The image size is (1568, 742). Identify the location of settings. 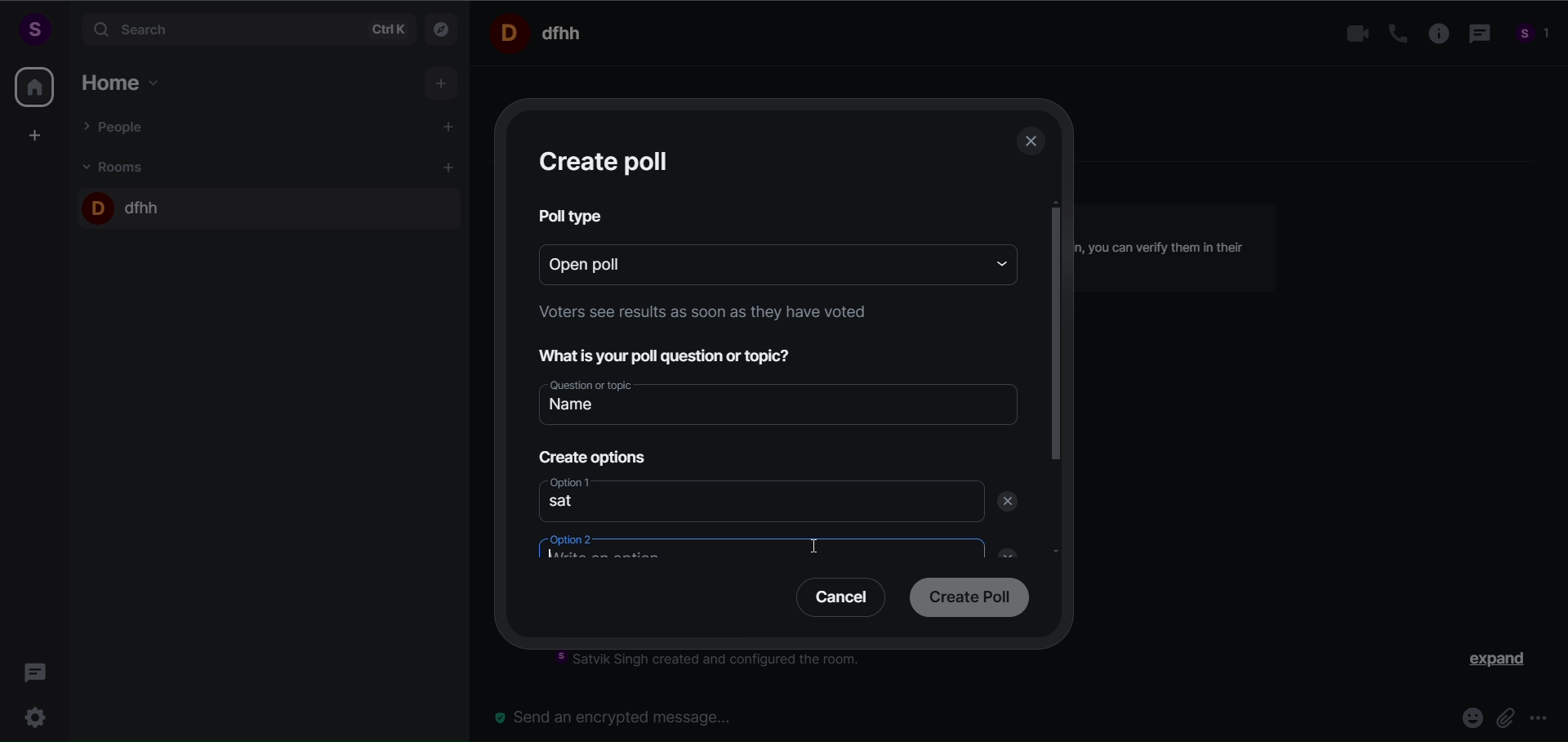
(39, 715).